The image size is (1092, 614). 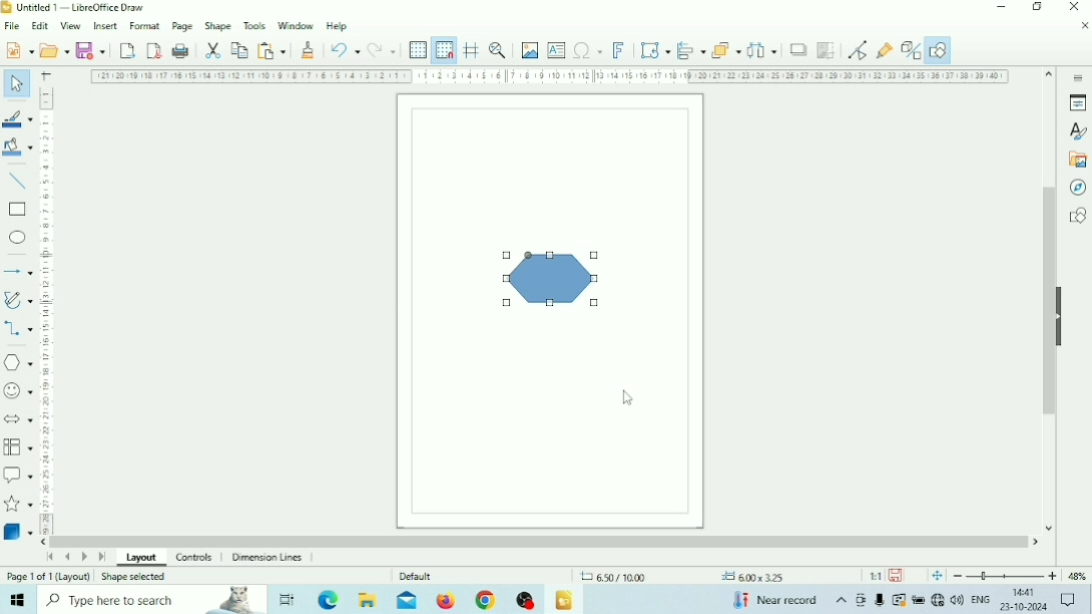 I want to click on Arrange, so click(x=726, y=50).